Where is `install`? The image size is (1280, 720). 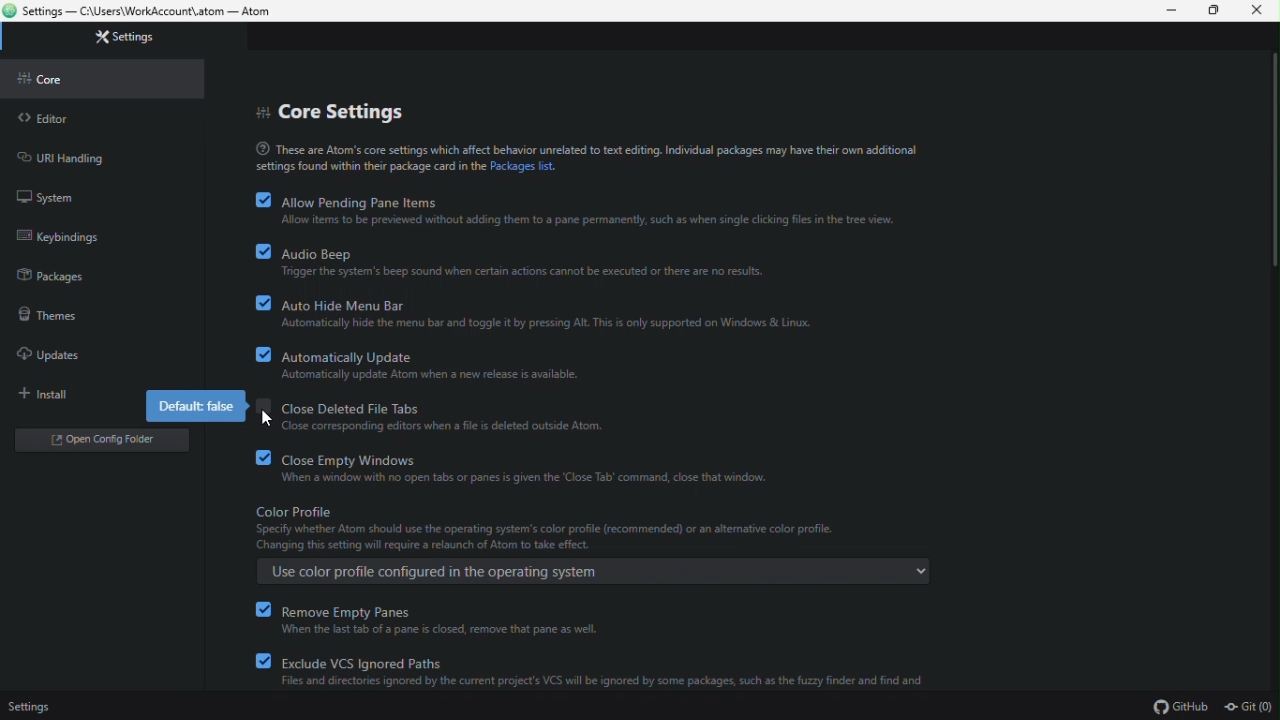
install is located at coordinates (50, 395).